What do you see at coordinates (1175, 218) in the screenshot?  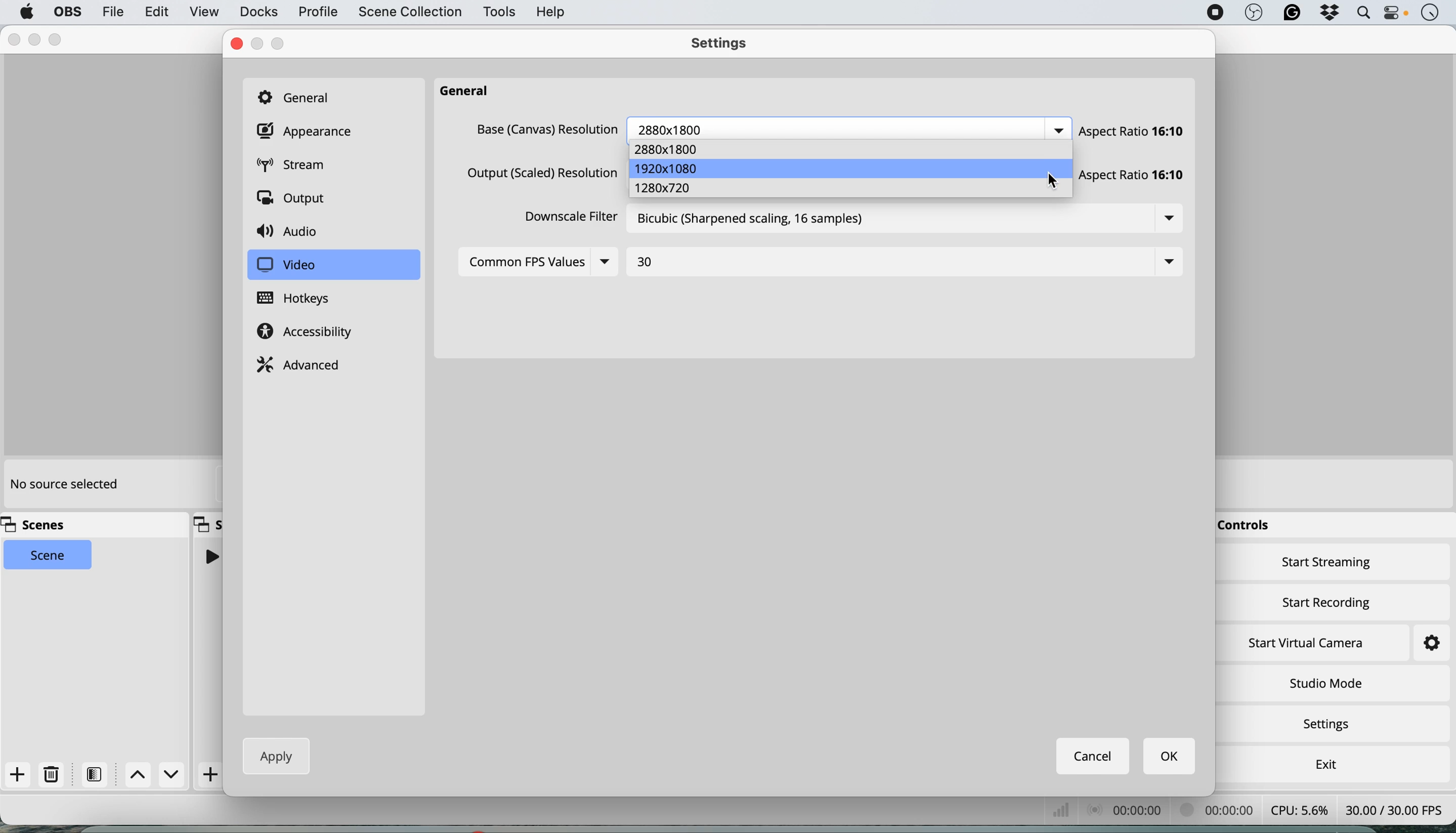 I see `List item` at bounding box center [1175, 218].